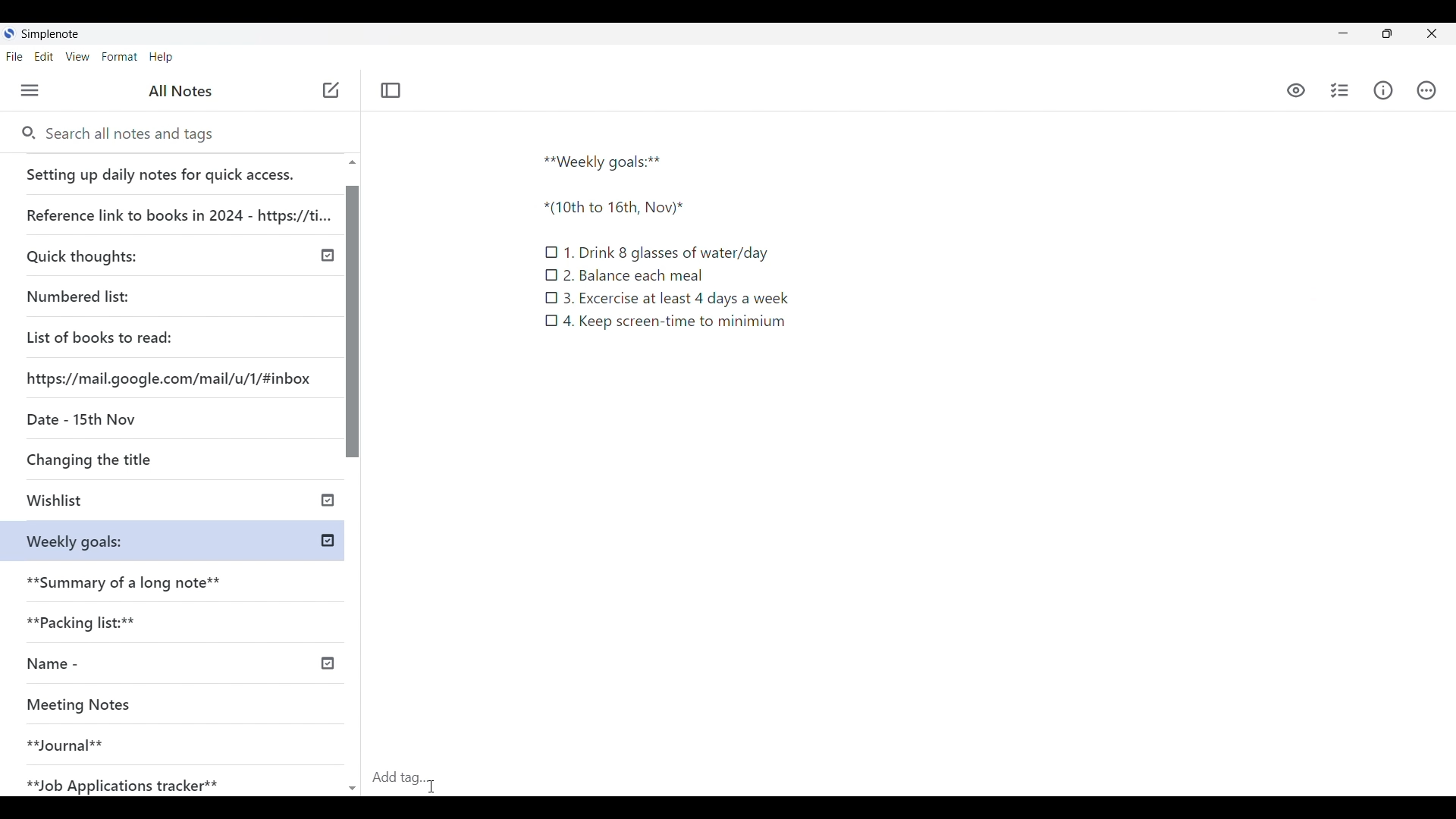  Describe the element at coordinates (44, 57) in the screenshot. I see `Edit menu` at that location.